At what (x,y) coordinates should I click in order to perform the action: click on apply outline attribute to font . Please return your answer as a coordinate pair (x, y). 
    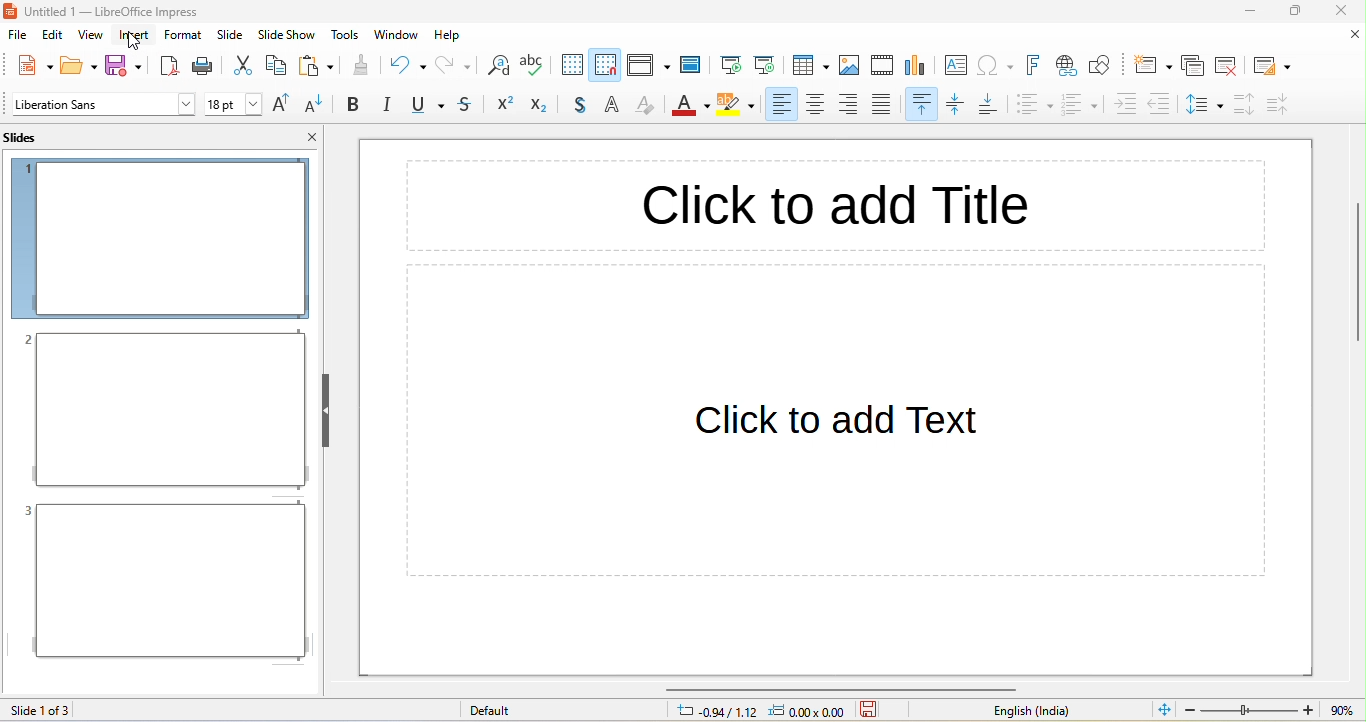
    Looking at the image, I should click on (615, 105).